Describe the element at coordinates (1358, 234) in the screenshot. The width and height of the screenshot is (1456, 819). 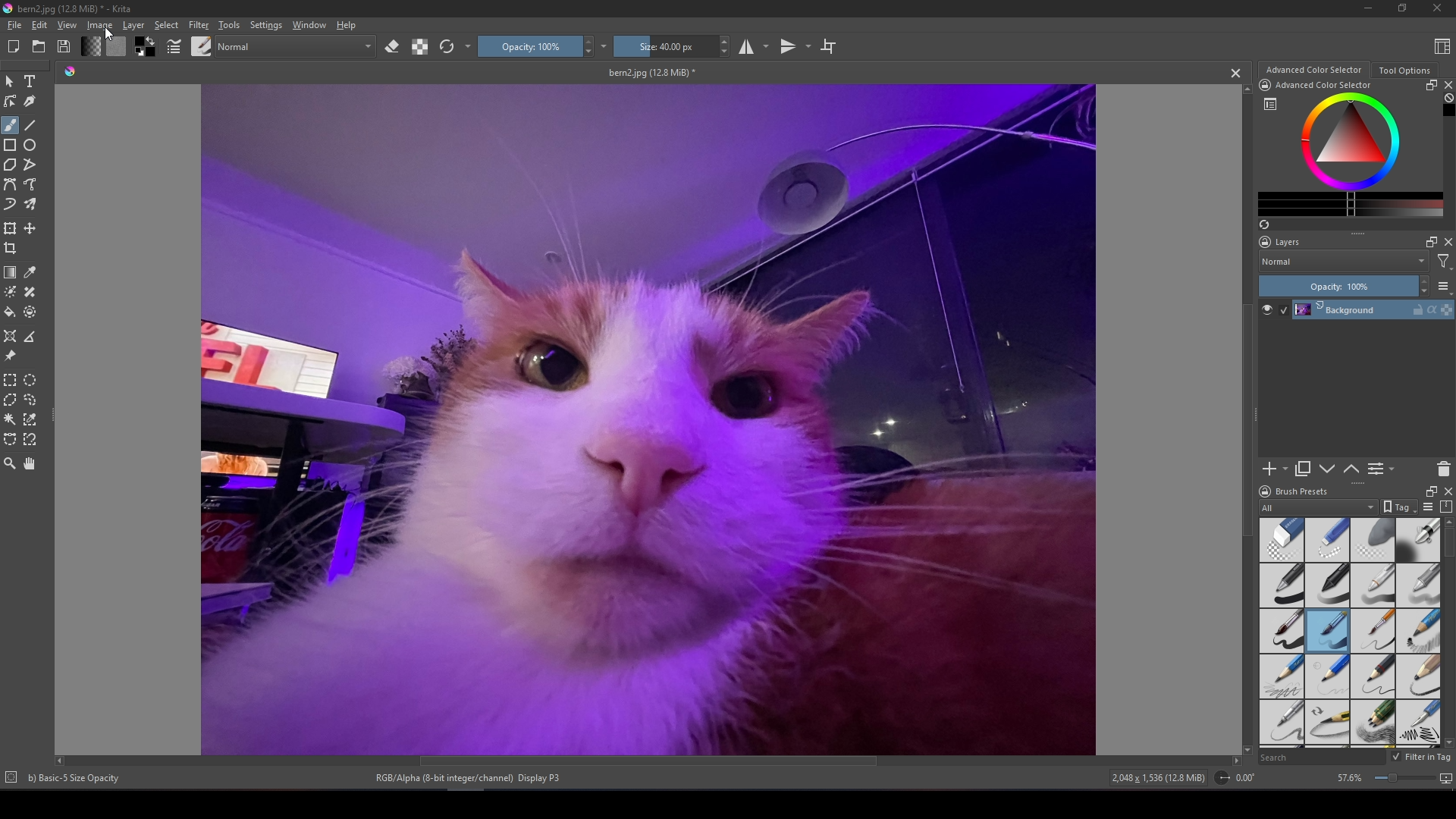
I see `Layer interface slider` at that location.